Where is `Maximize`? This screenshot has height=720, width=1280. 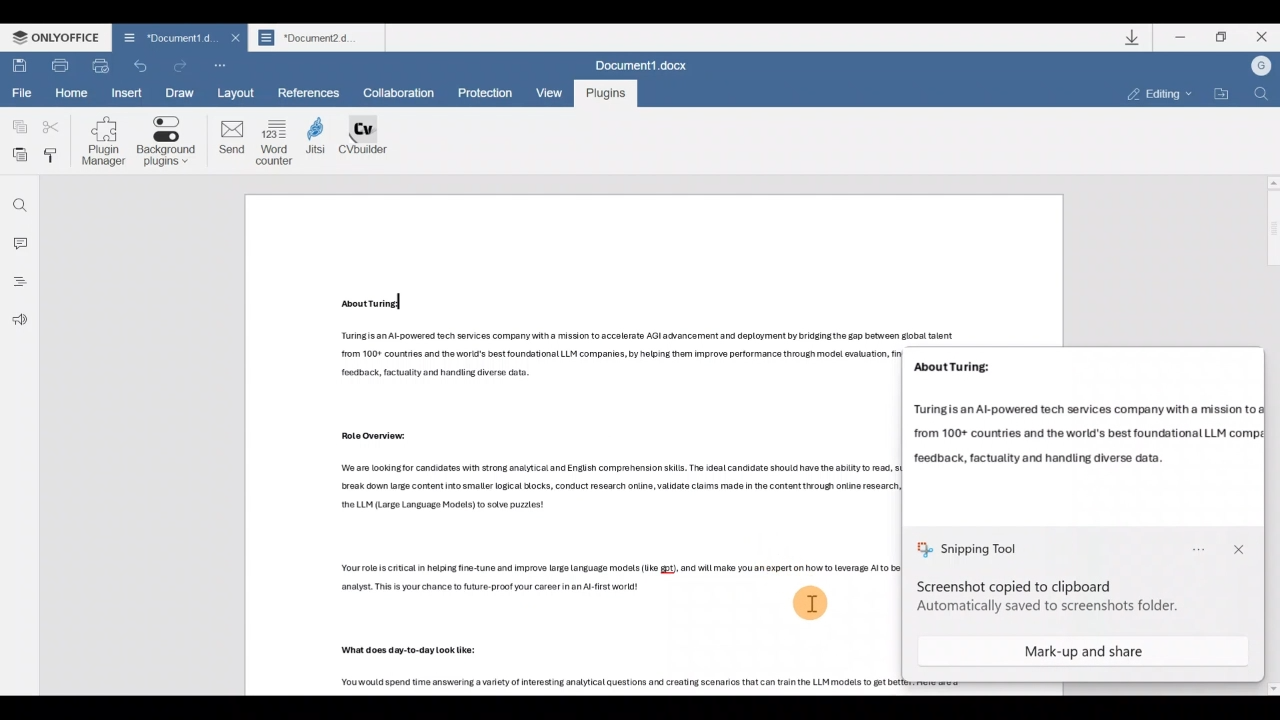 Maximize is located at coordinates (1224, 40).